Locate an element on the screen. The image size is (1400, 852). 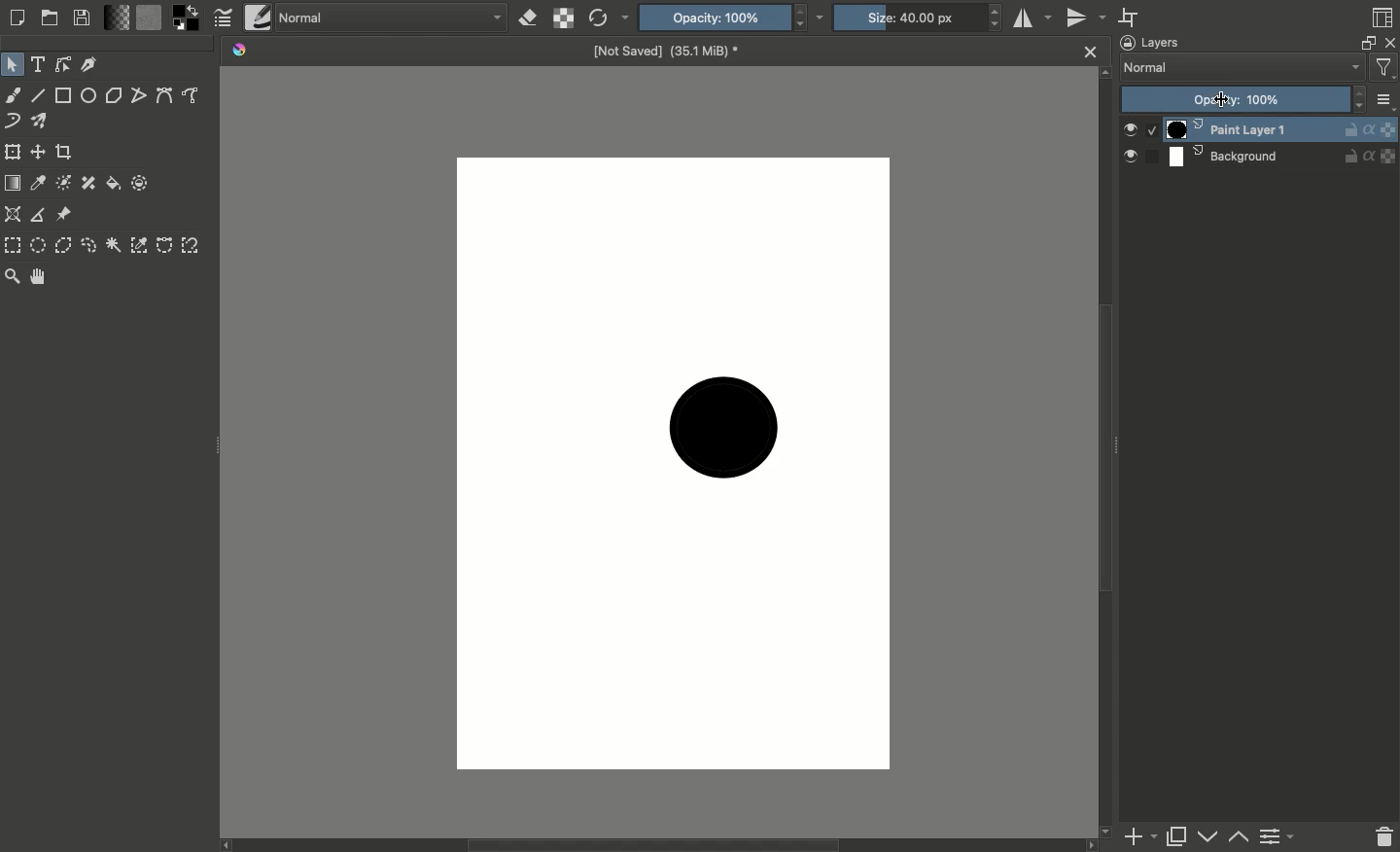
Fill is located at coordinates (115, 185).